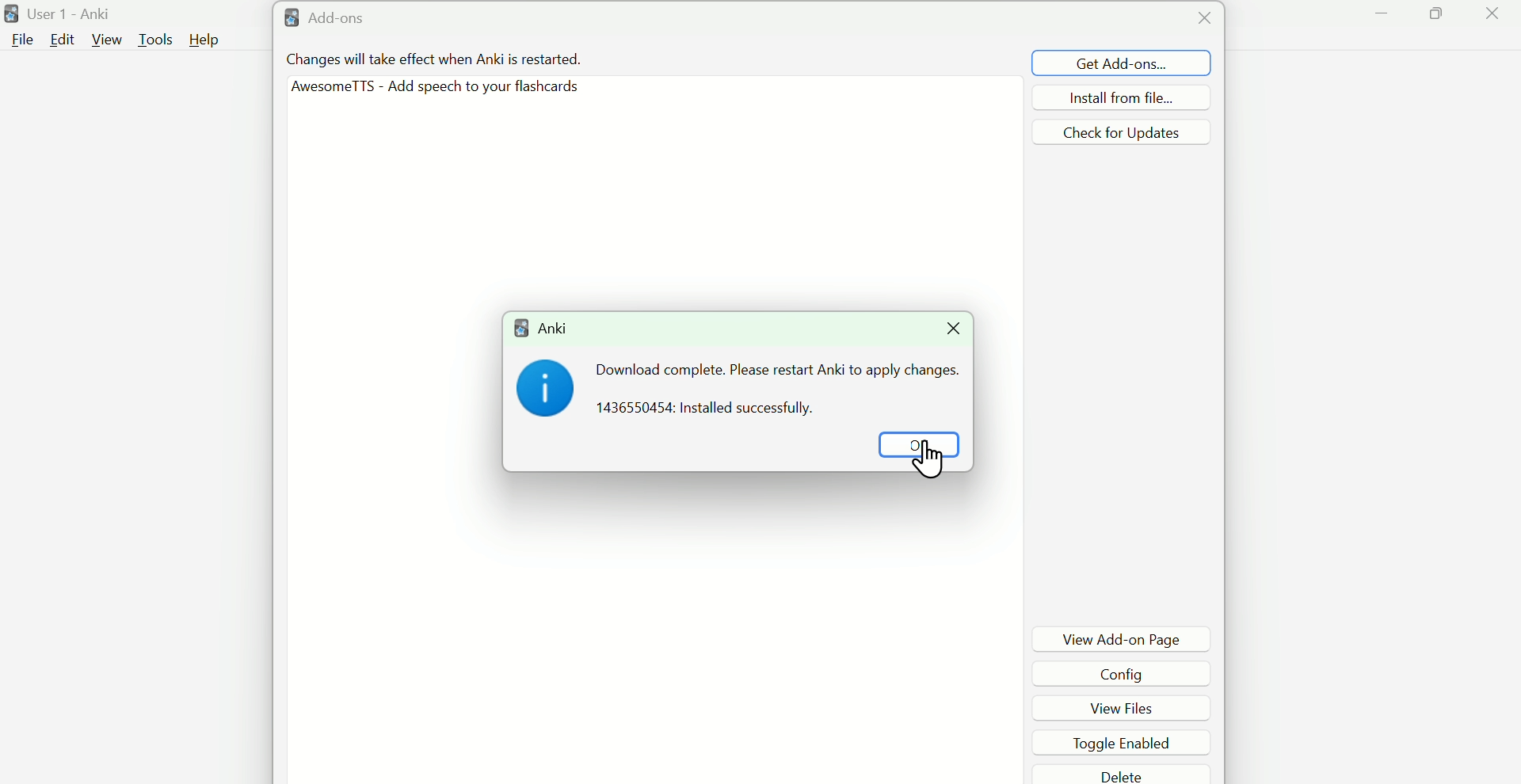  What do you see at coordinates (1127, 673) in the screenshot?
I see `Config` at bounding box center [1127, 673].